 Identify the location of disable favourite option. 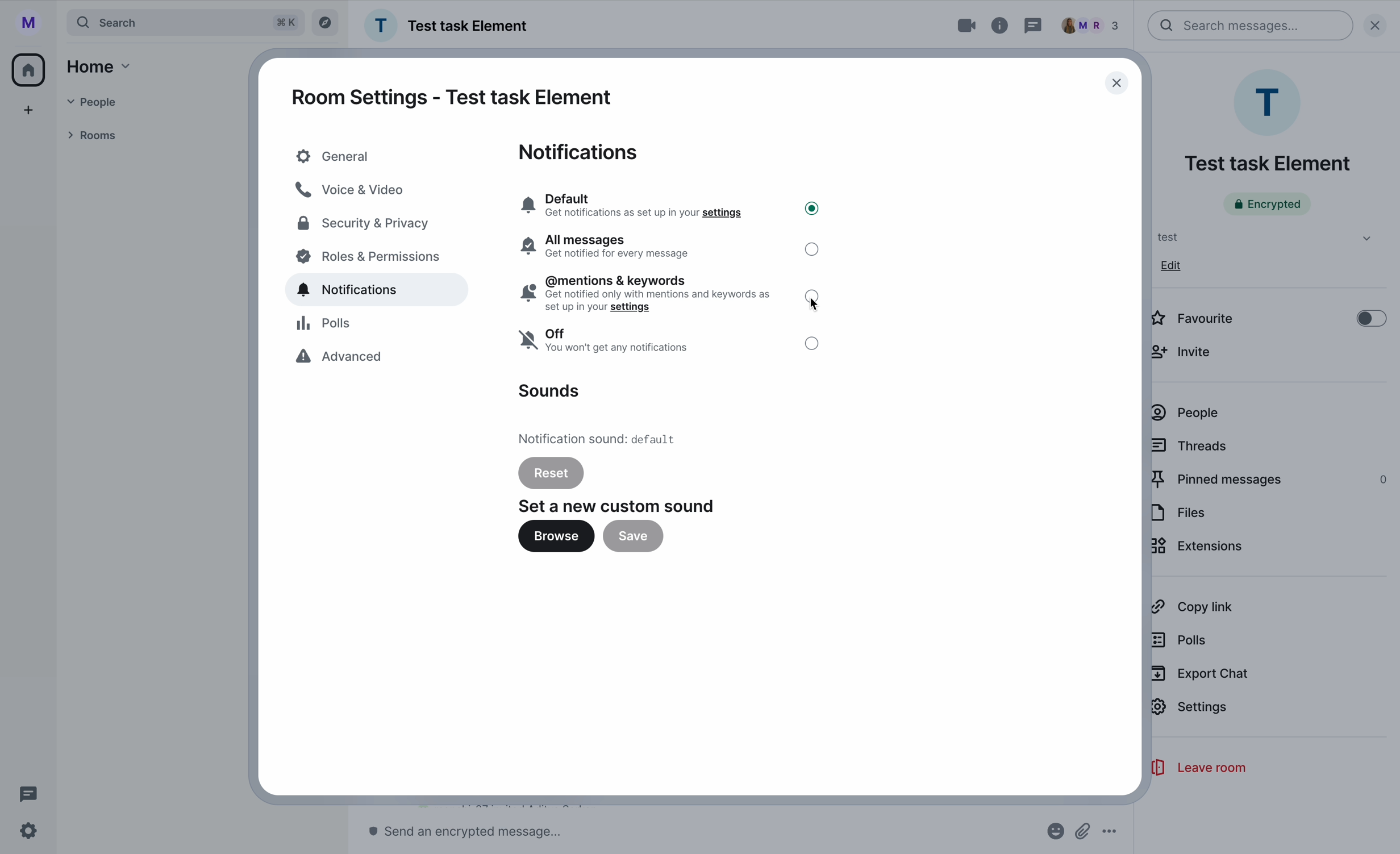
(1268, 316).